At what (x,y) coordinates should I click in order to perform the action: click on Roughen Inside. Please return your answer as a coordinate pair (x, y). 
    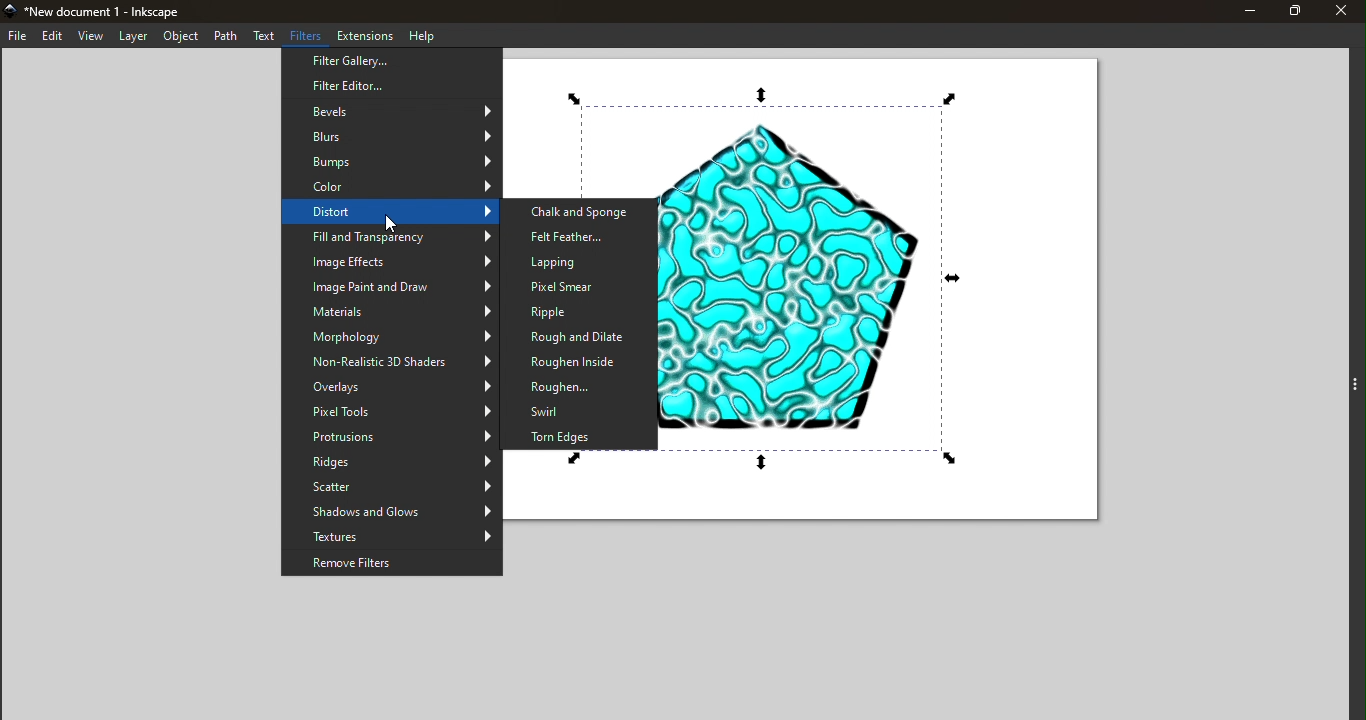
    Looking at the image, I should click on (577, 361).